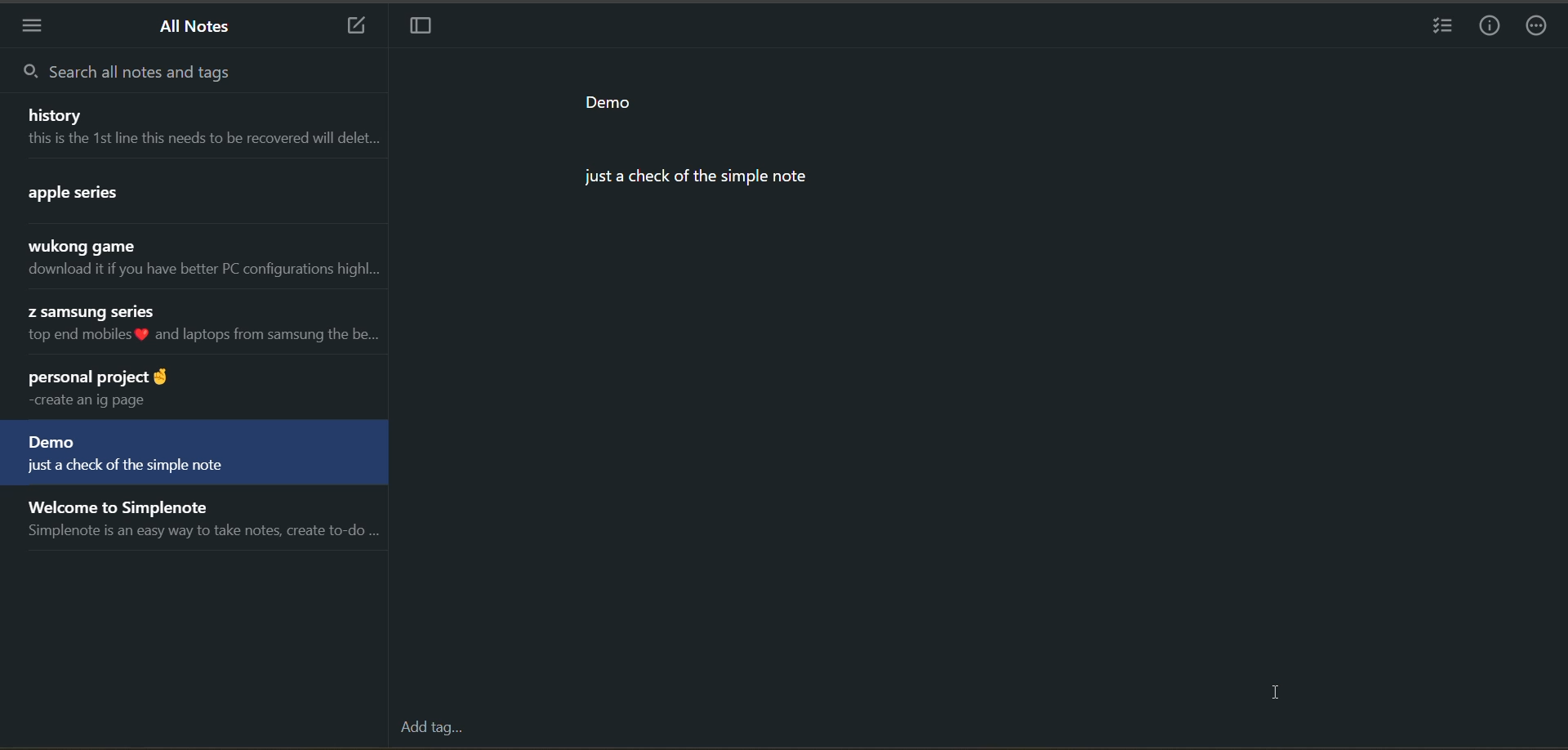 This screenshot has height=750, width=1568. What do you see at coordinates (419, 28) in the screenshot?
I see `toggle focus mode` at bounding box center [419, 28].